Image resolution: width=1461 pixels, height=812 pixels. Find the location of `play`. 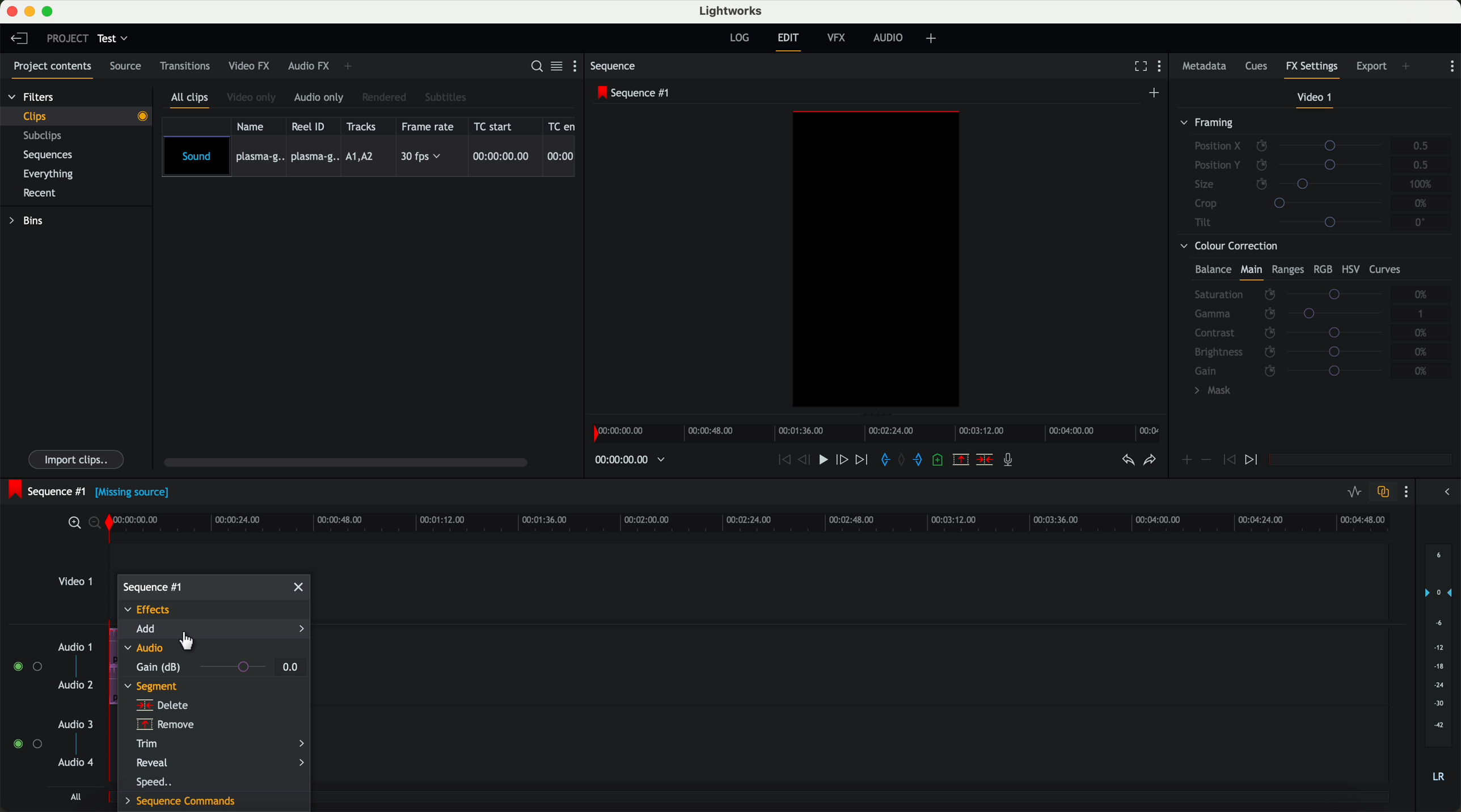

play is located at coordinates (826, 461).